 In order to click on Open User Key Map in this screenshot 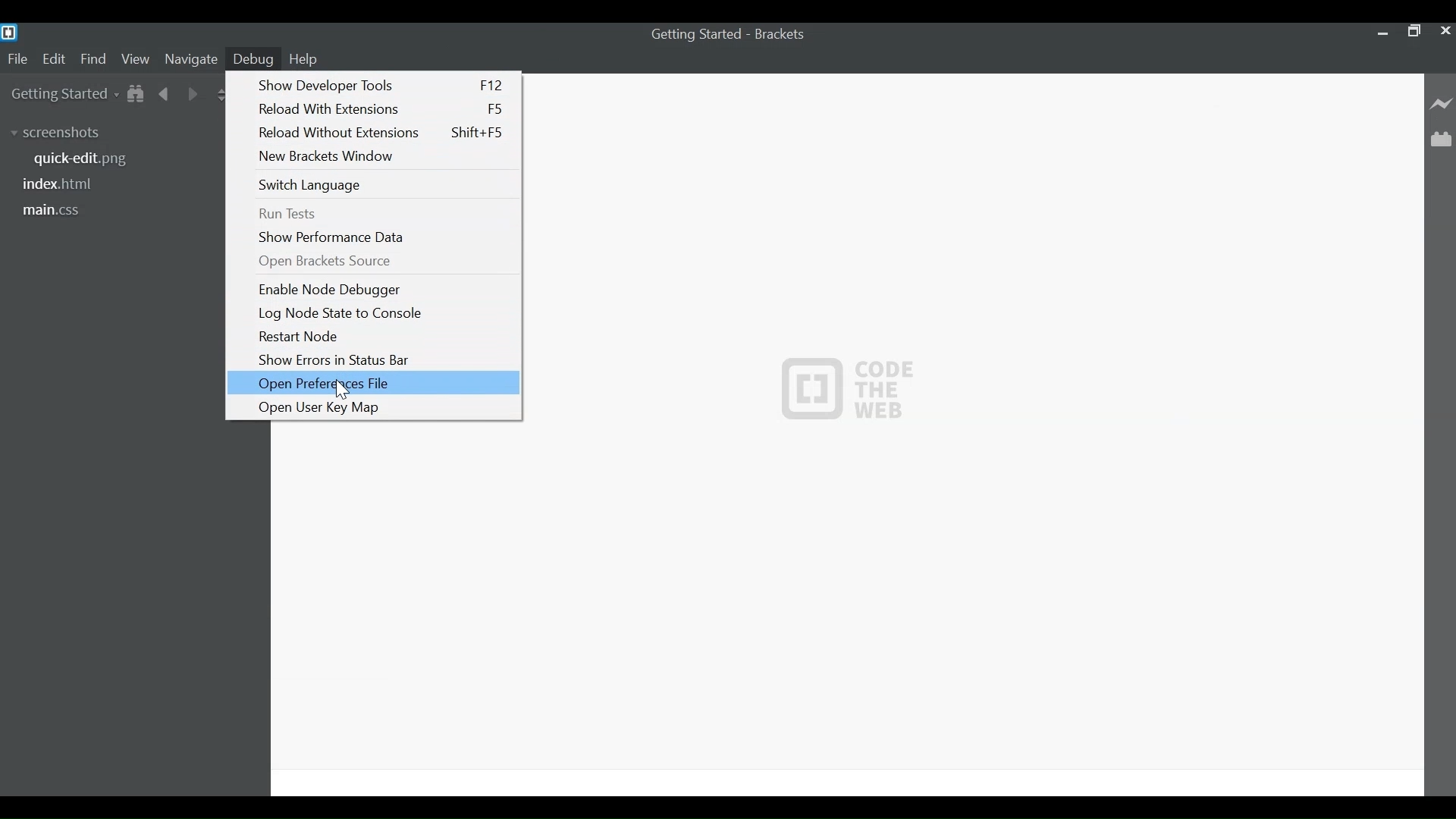, I will do `click(379, 406)`.